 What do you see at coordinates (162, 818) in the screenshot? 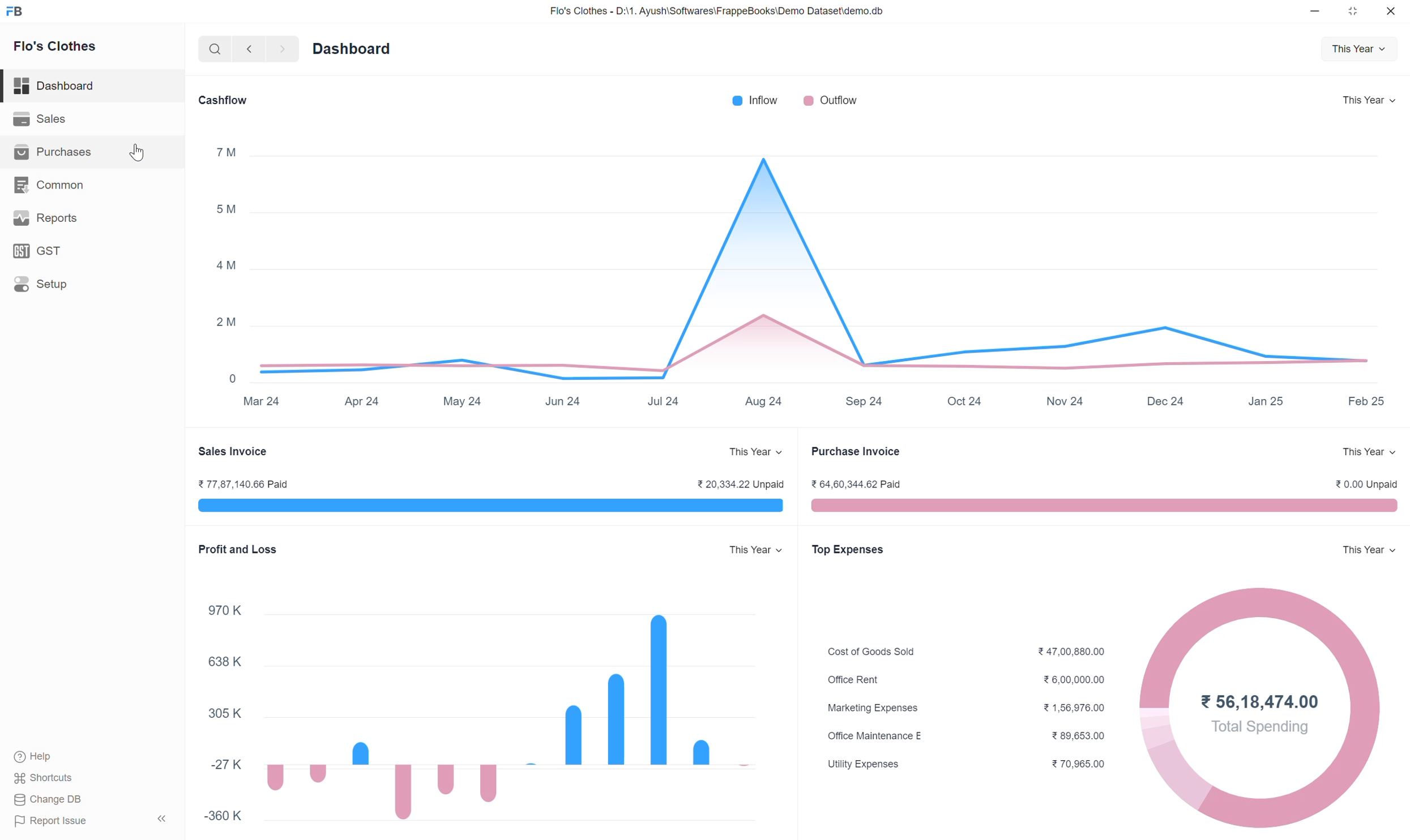
I see `Collapse sidebar` at bounding box center [162, 818].